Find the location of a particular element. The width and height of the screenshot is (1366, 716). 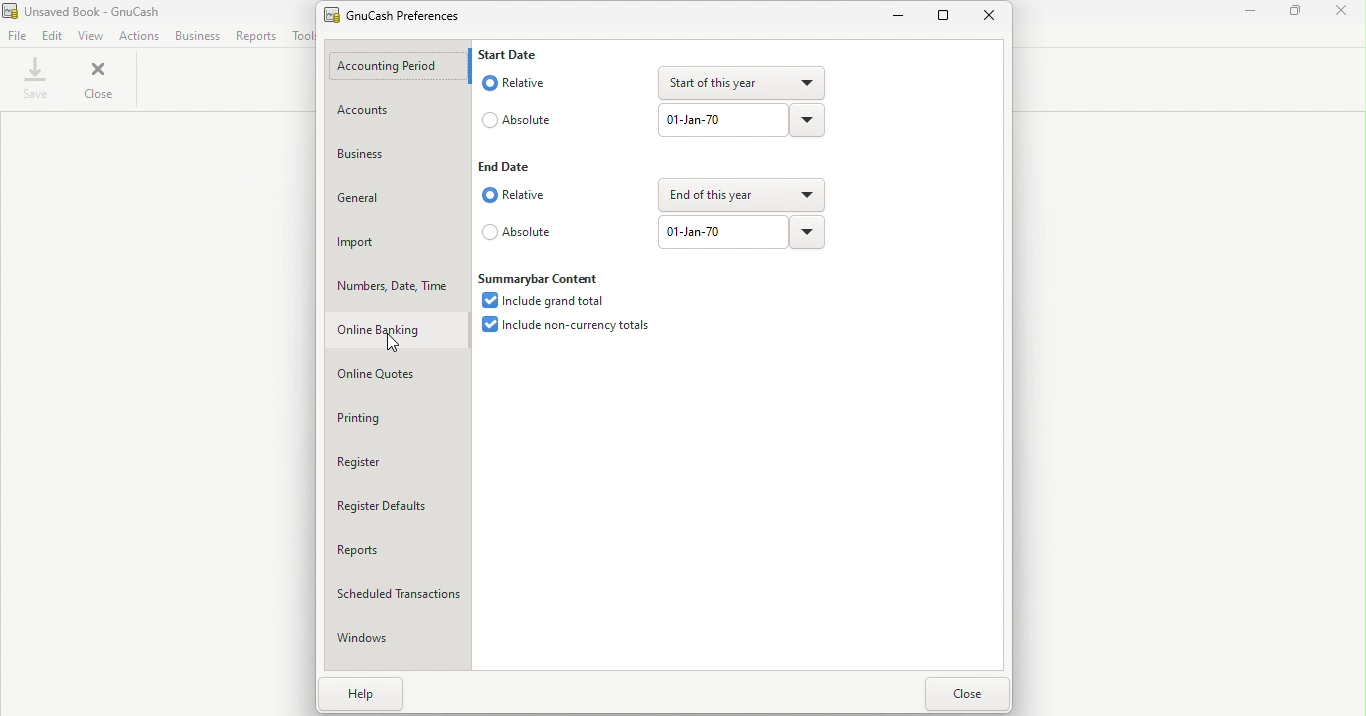

Absolute is located at coordinates (518, 232).